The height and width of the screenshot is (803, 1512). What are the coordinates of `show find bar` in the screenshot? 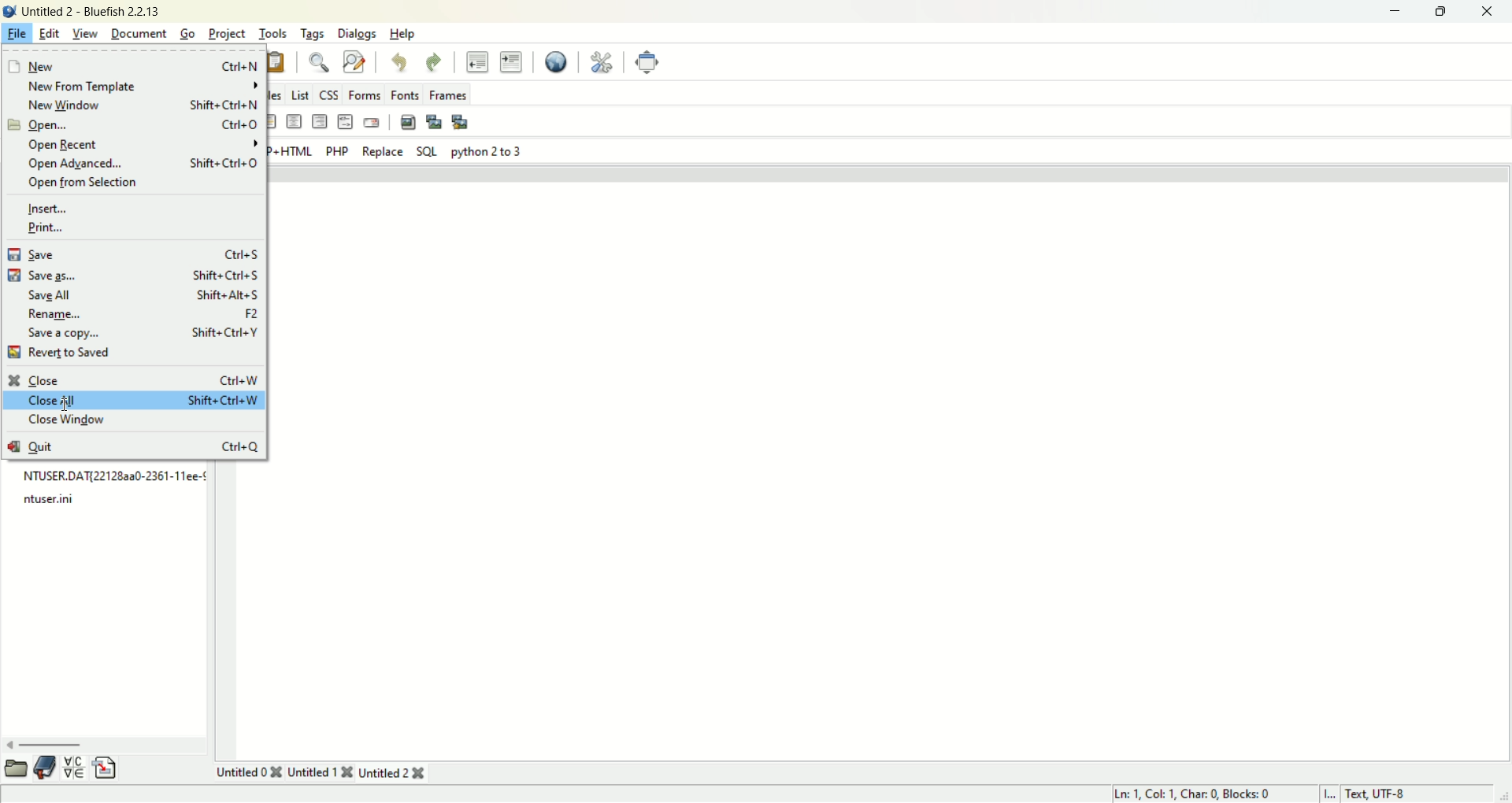 It's located at (317, 61).